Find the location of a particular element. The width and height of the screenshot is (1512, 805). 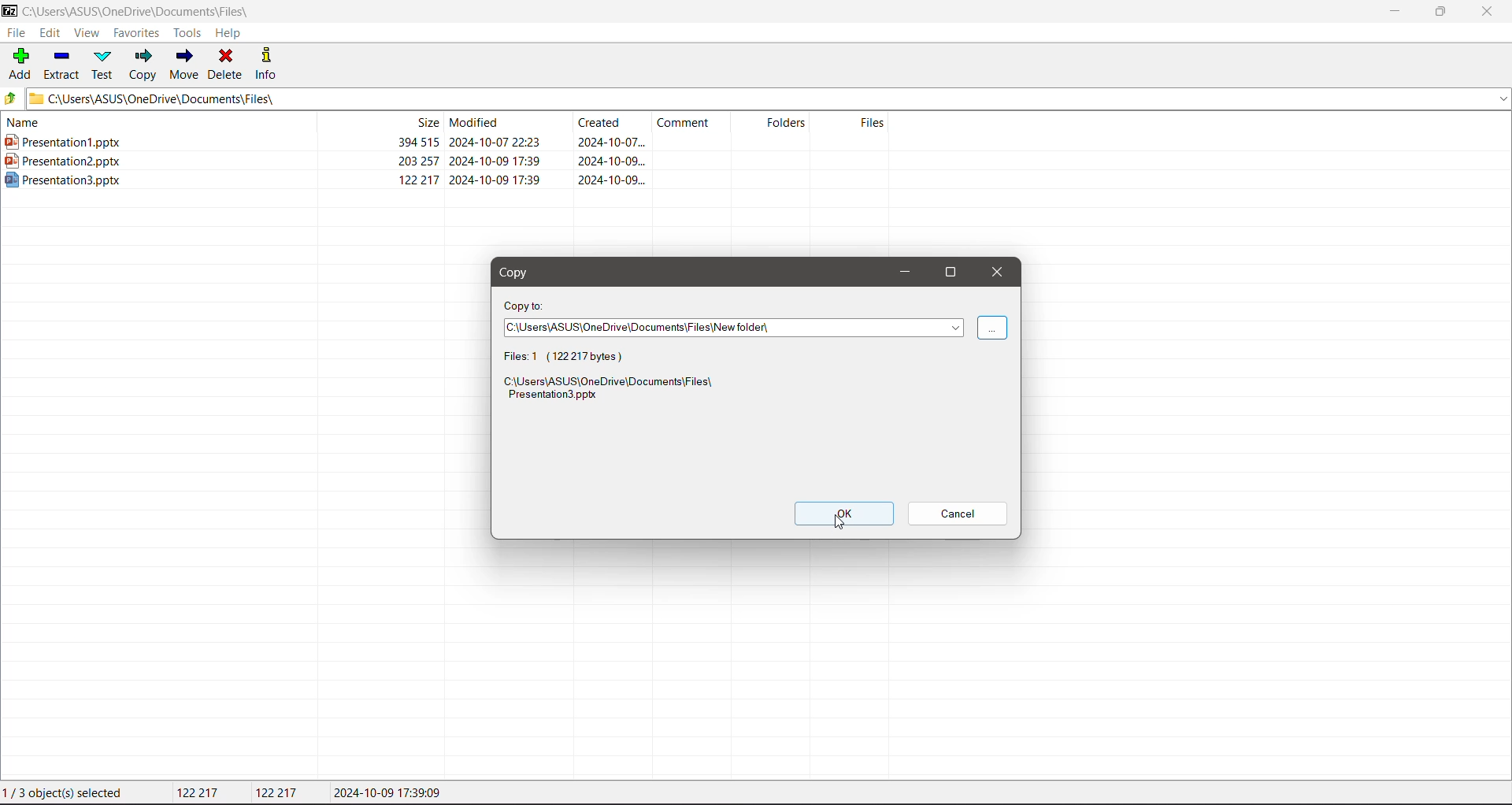

Maximize is located at coordinates (948, 273).